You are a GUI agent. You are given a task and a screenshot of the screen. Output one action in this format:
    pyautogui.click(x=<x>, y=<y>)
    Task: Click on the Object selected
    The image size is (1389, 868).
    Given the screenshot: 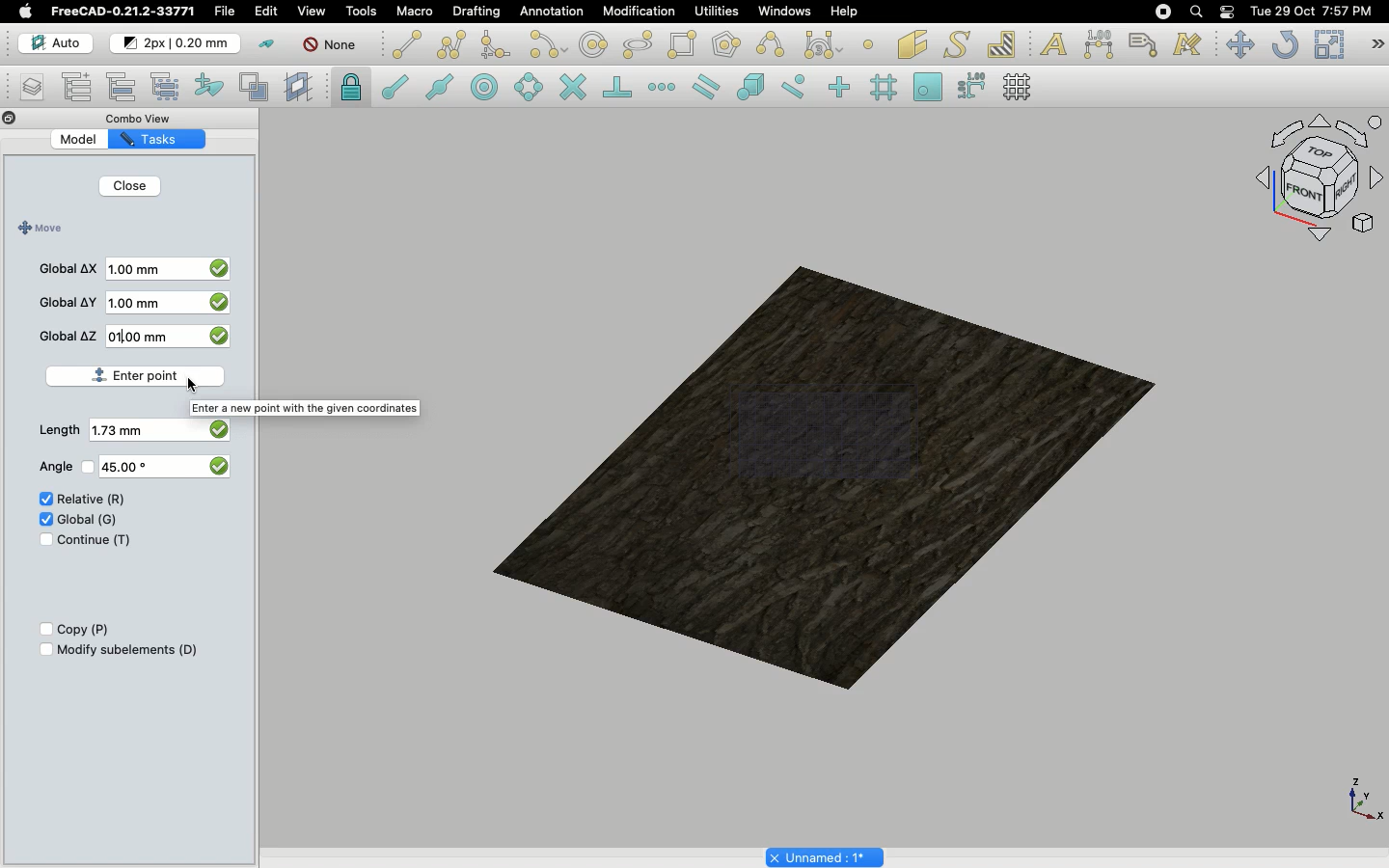 What is the action you would take?
    pyautogui.click(x=829, y=469)
    